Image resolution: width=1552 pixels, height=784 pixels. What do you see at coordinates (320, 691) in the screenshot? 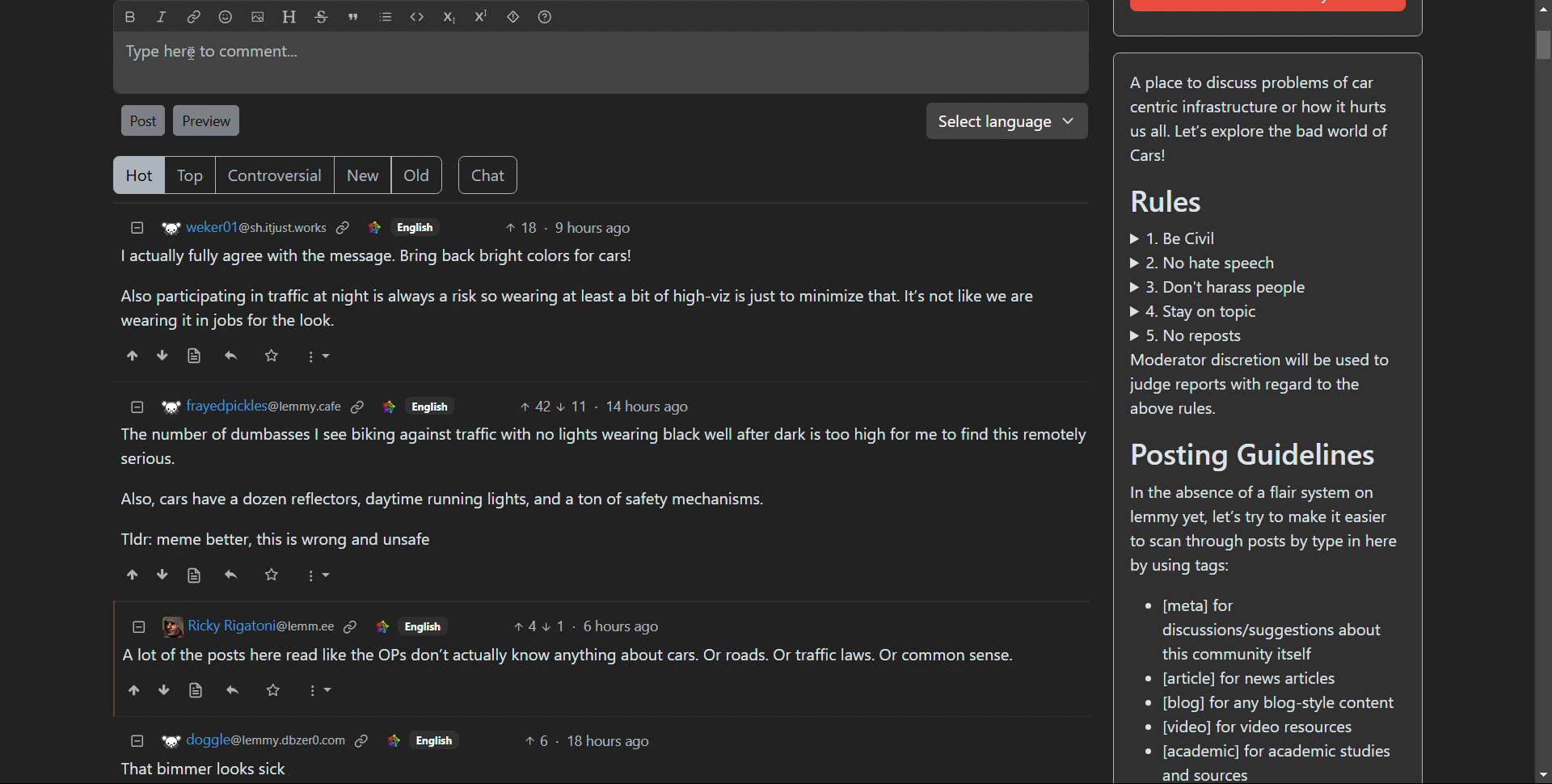
I see `More` at bounding box center [320, 691].